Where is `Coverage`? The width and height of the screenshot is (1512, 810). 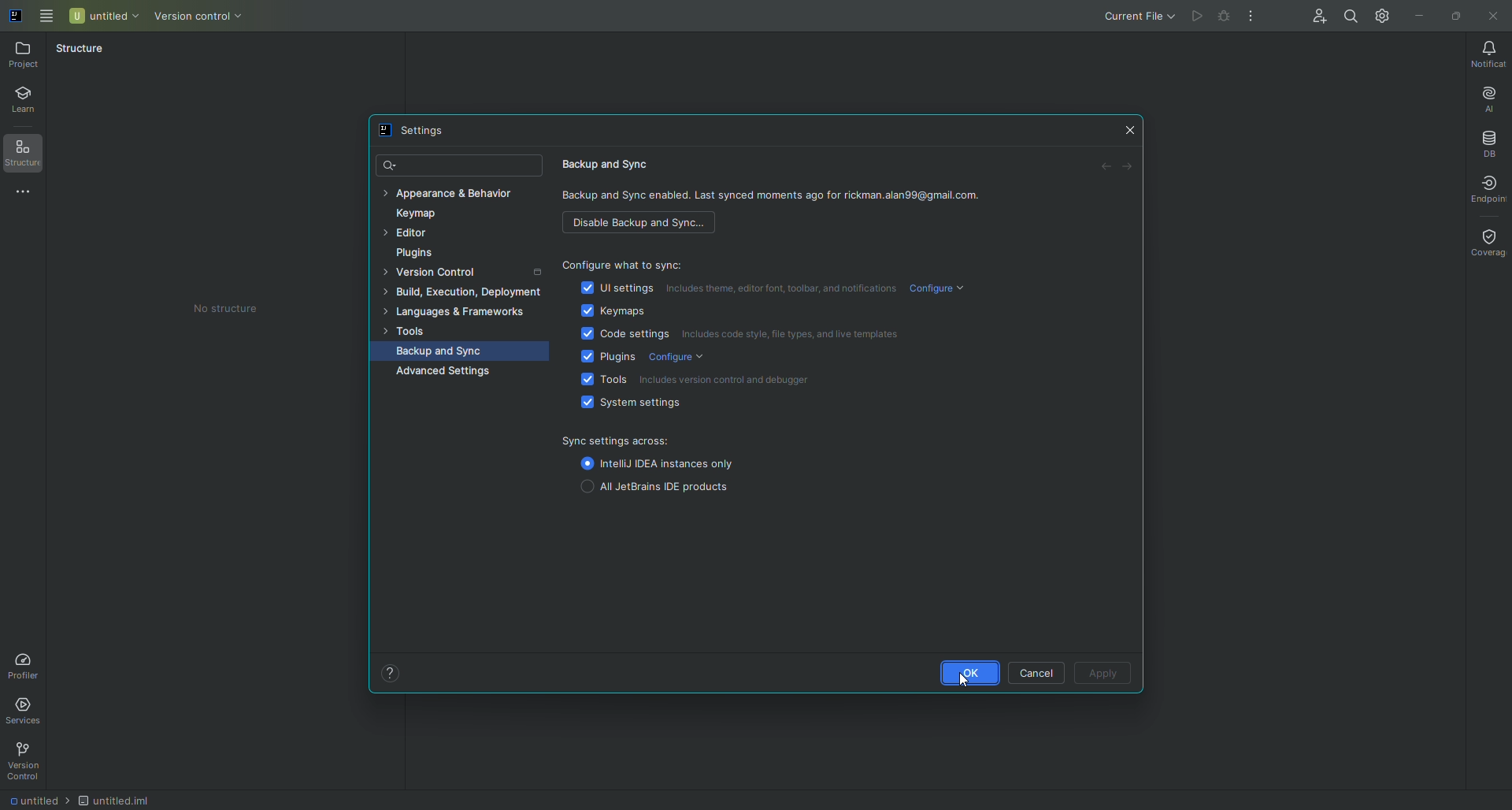 Coverage is located at coordinates (1486, 241).